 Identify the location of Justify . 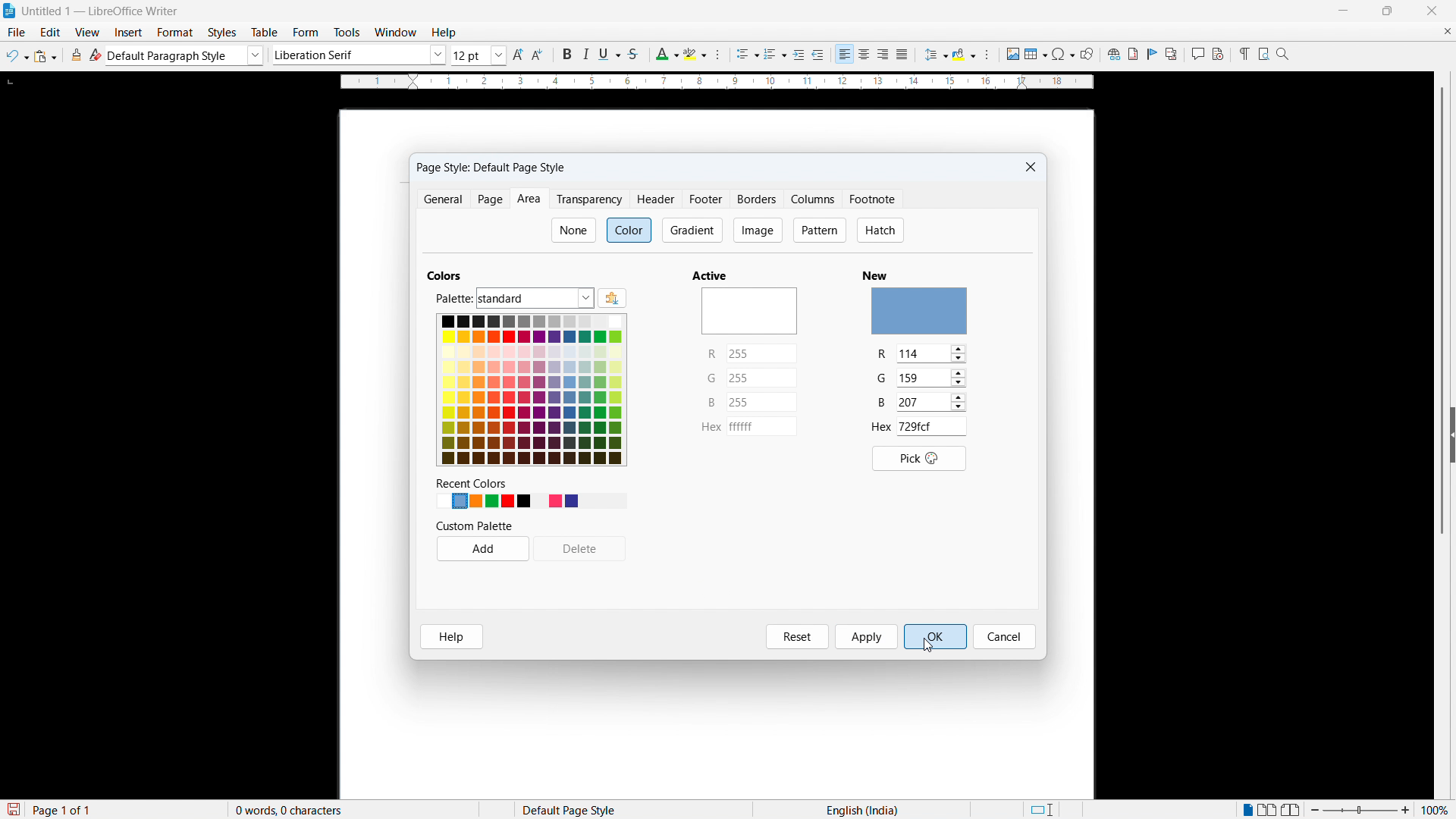
(902, 54).